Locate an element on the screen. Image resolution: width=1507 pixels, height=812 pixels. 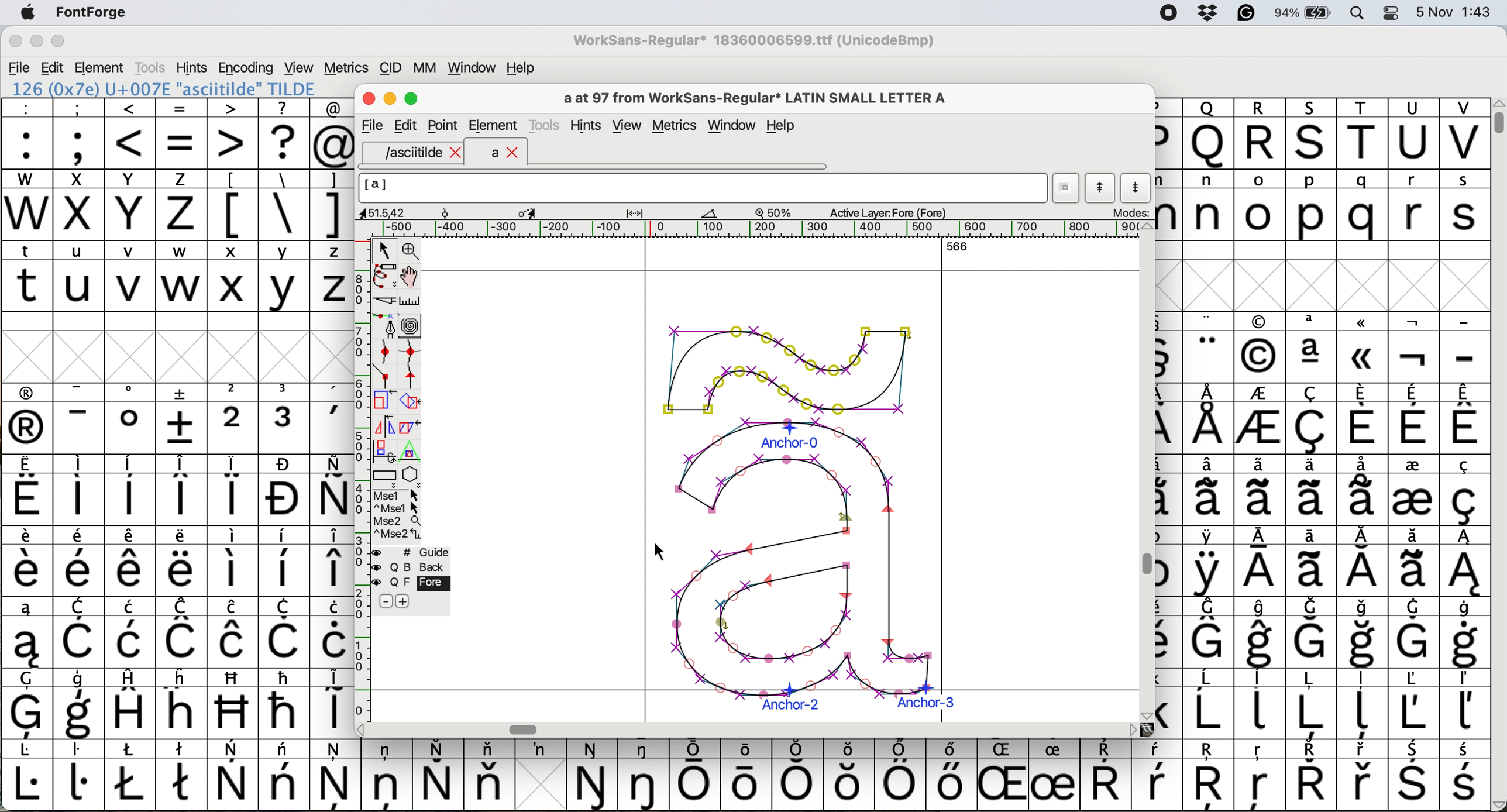
tools is located at coordinates (149, 67).